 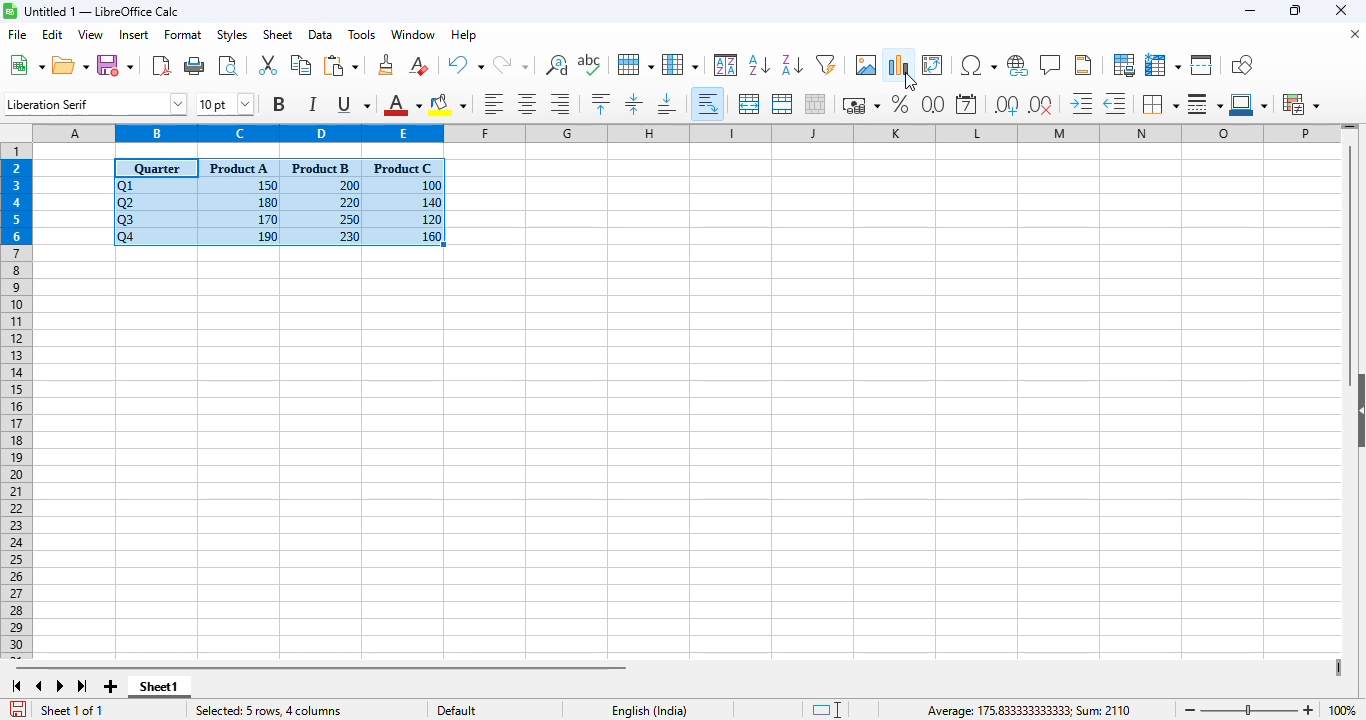 I want to click on sheet, so click(x=277, y=35).